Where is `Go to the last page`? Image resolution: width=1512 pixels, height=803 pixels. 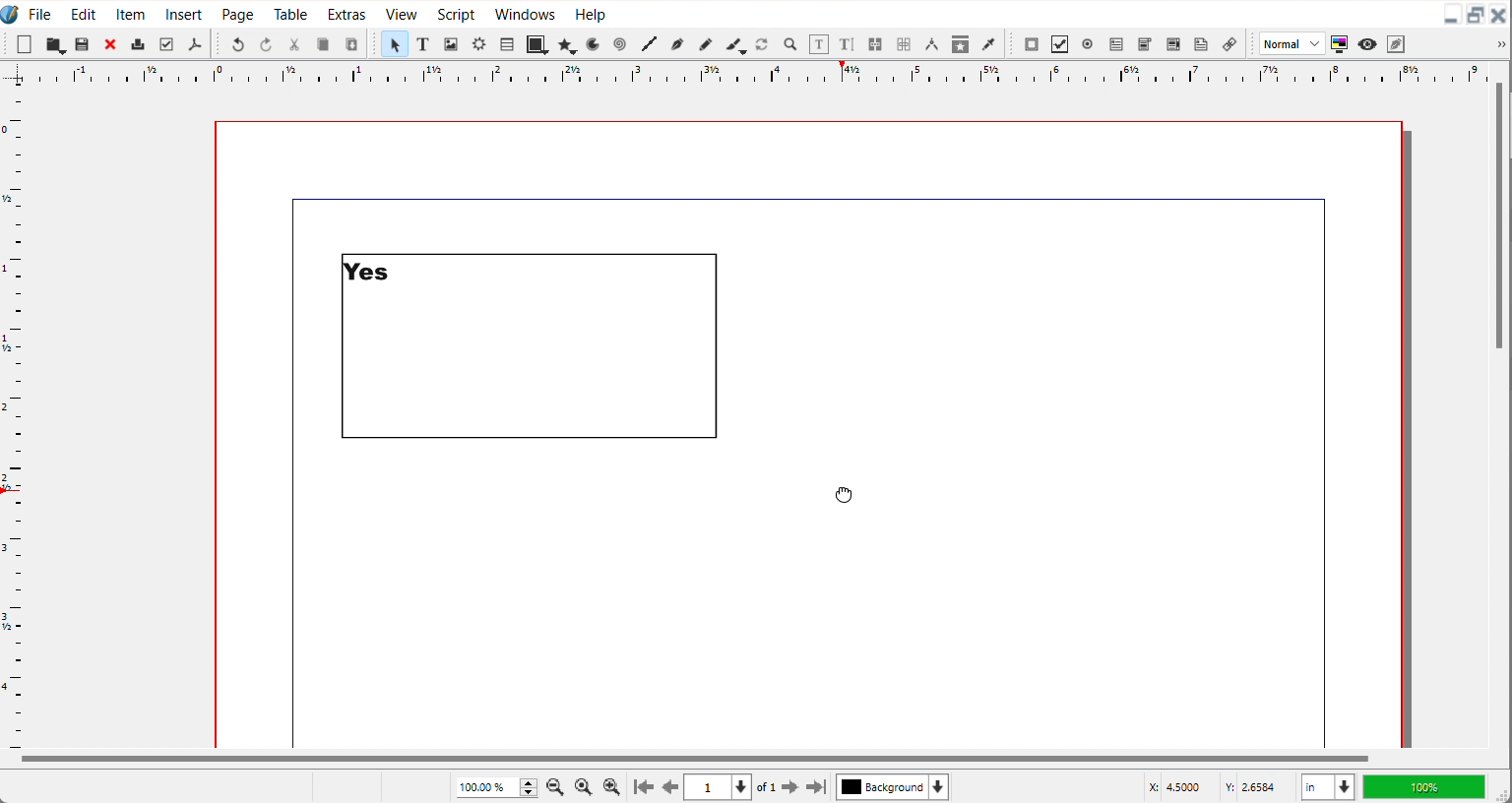
Go to the last page is located at coordinates (816, 787).